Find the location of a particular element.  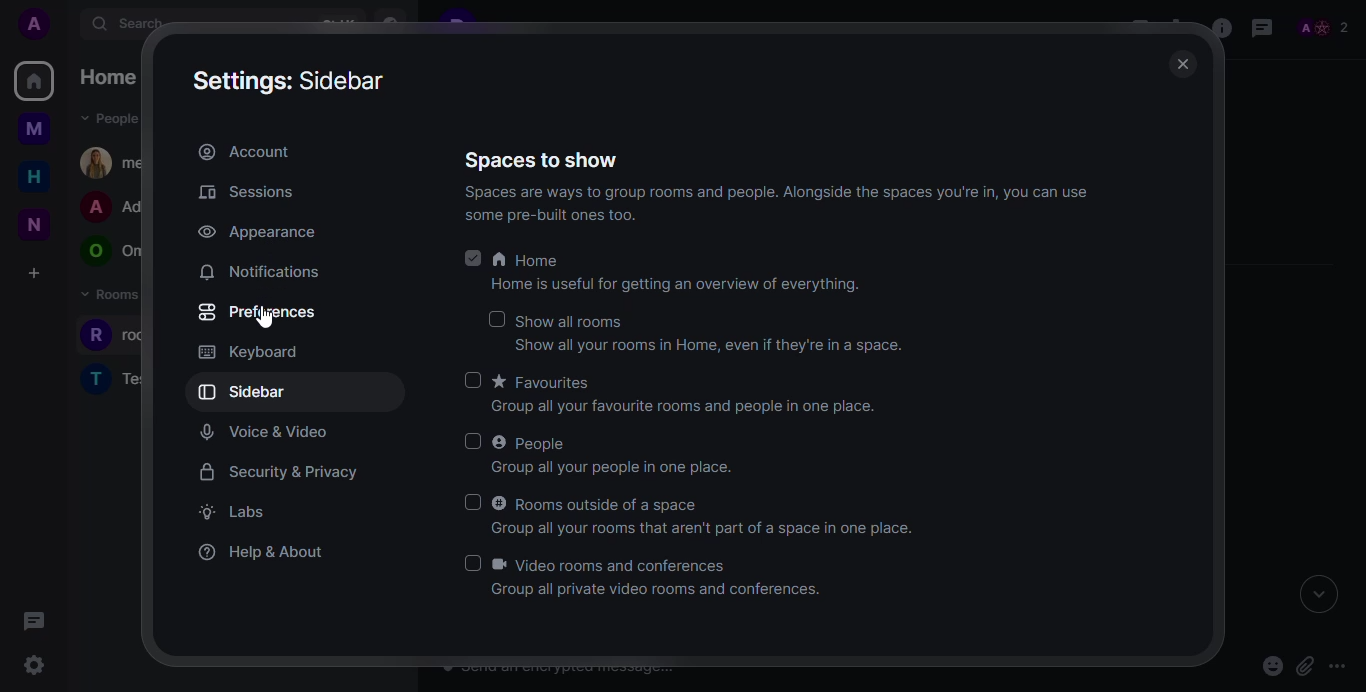

myspace is located at coordinates (33, 131).